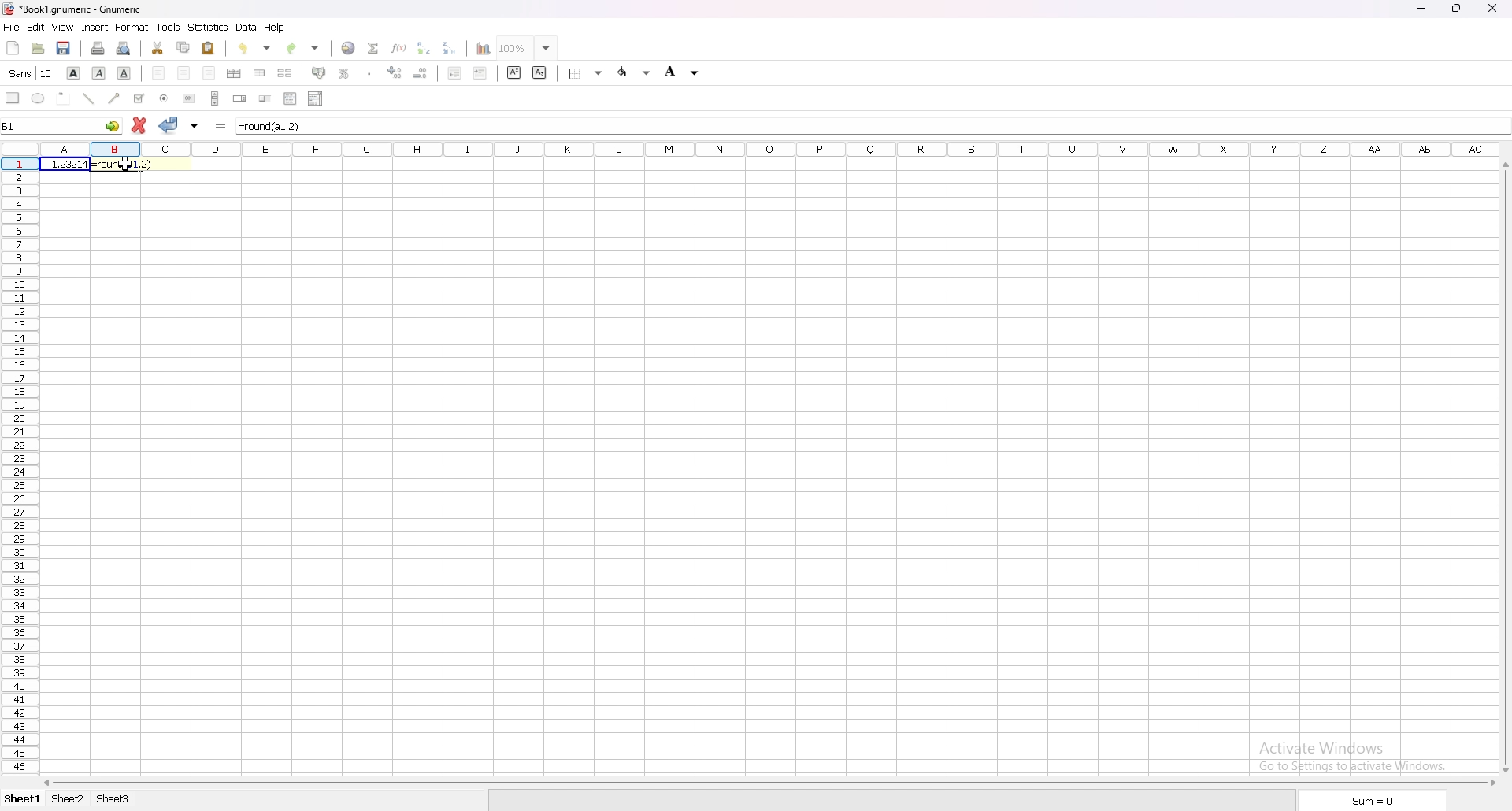  Describe the element at coordinates (272, 126) in the screenshot. I see `formula` at that location.